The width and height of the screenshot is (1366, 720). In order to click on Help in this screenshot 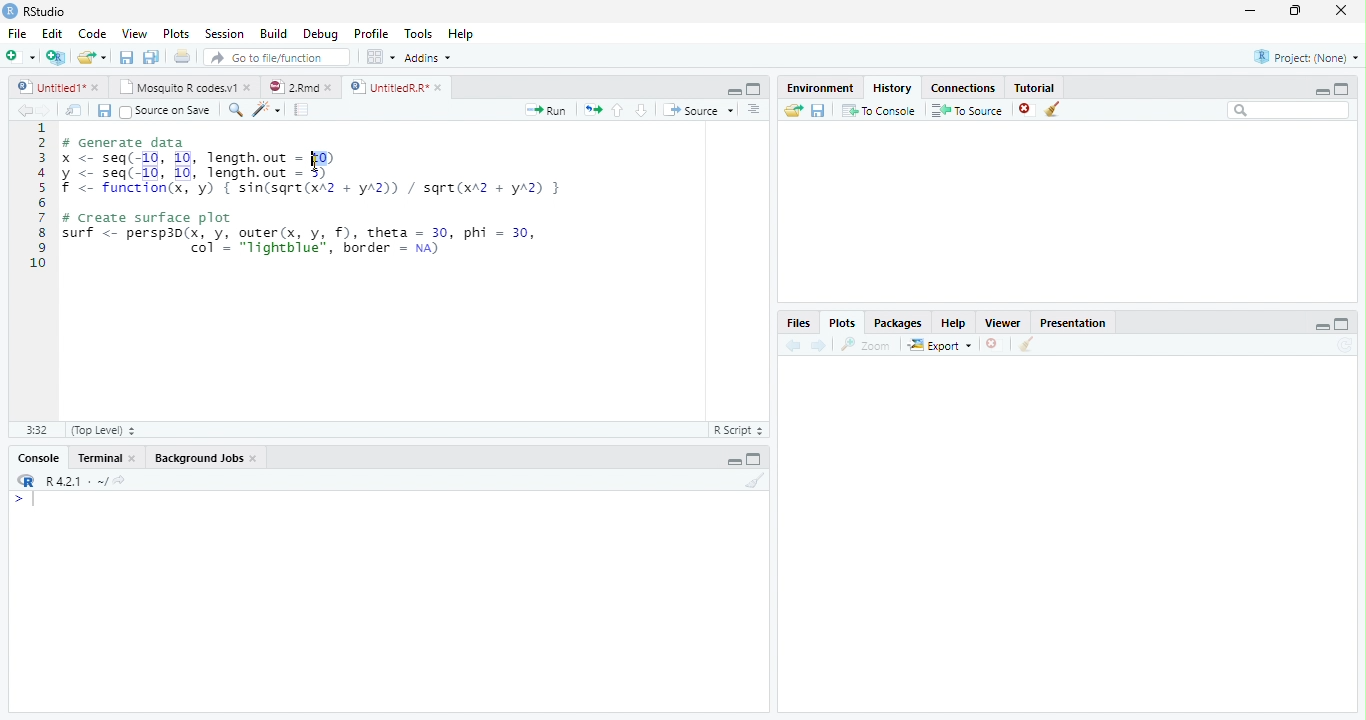, I will do `click(954, 322)`.